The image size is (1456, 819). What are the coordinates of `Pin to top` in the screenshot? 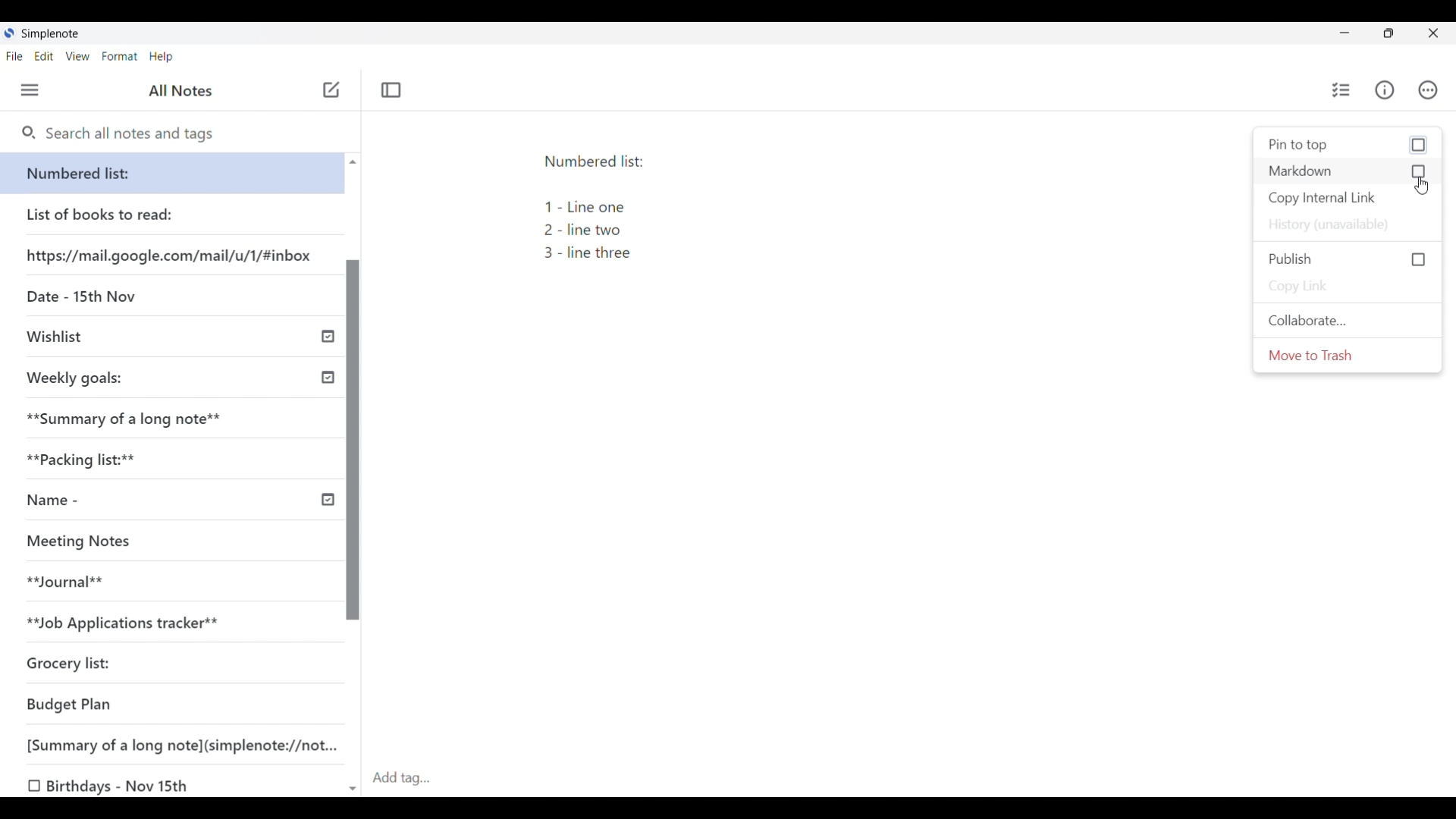 It's located at (1318, 145).